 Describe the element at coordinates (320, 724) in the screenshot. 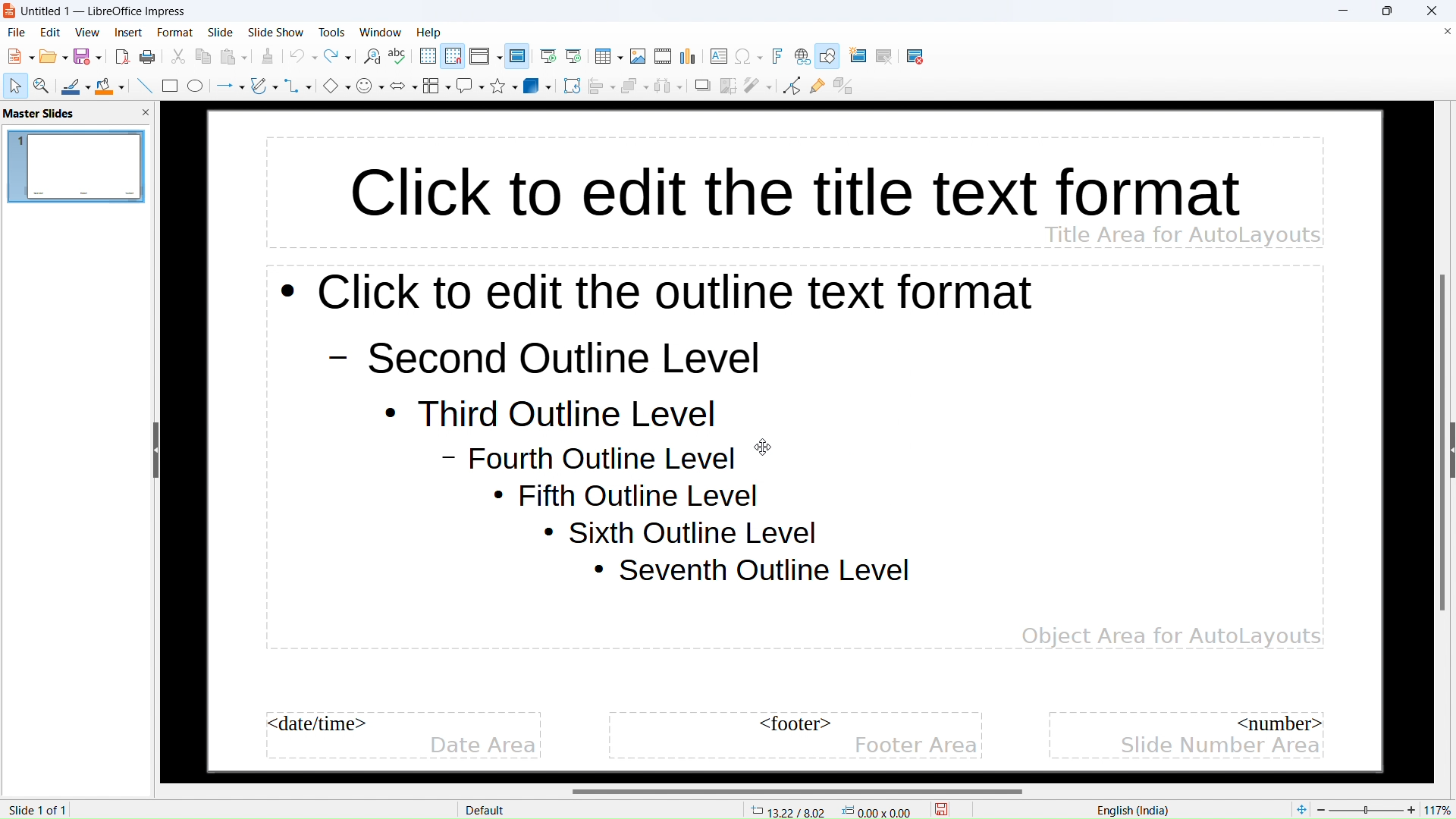

I see `<date/time>` at that location.